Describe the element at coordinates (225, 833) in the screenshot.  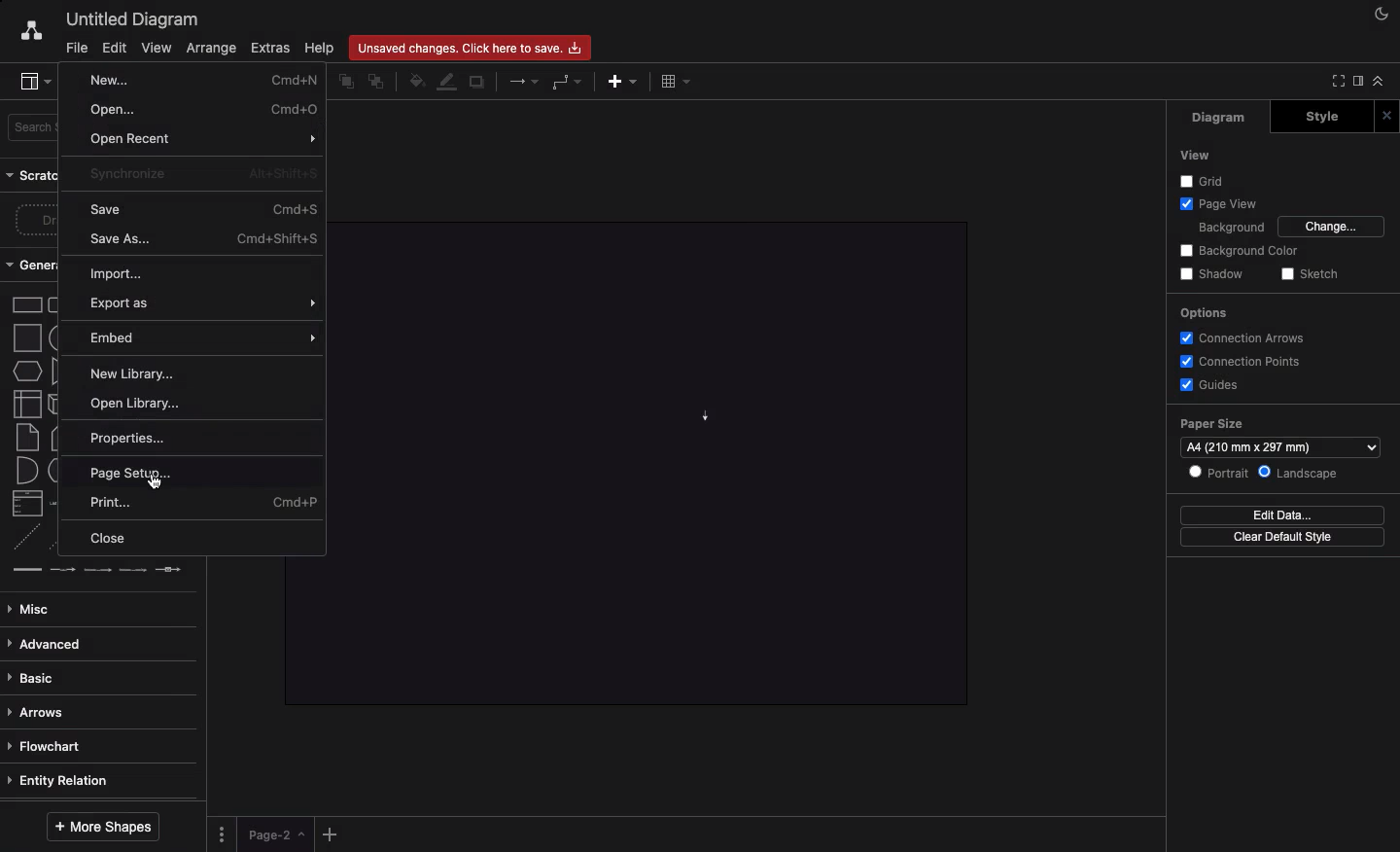
I see `Options` at that location.